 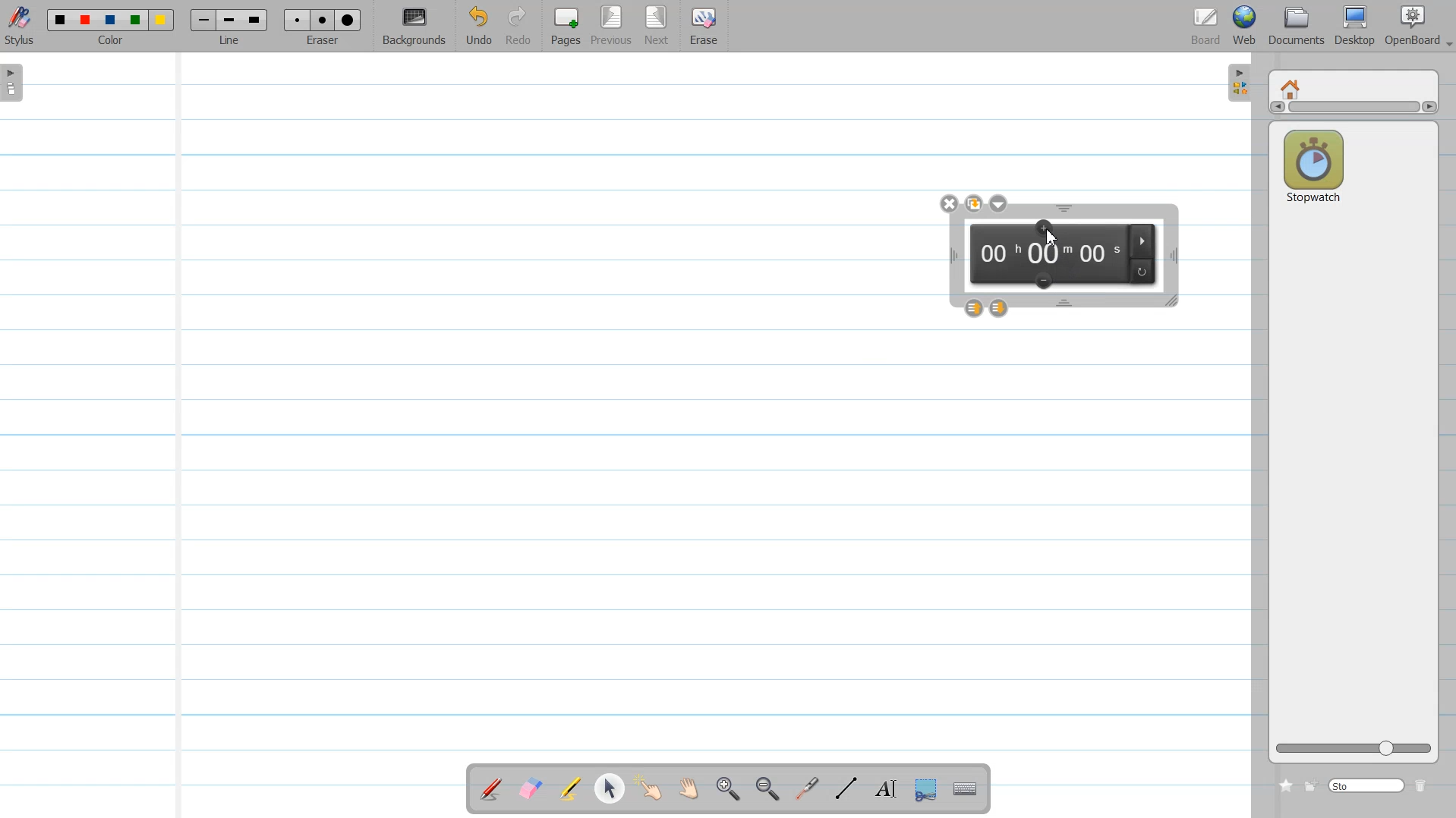 I want to click on Scroll Page, so click(x=691, y=789).